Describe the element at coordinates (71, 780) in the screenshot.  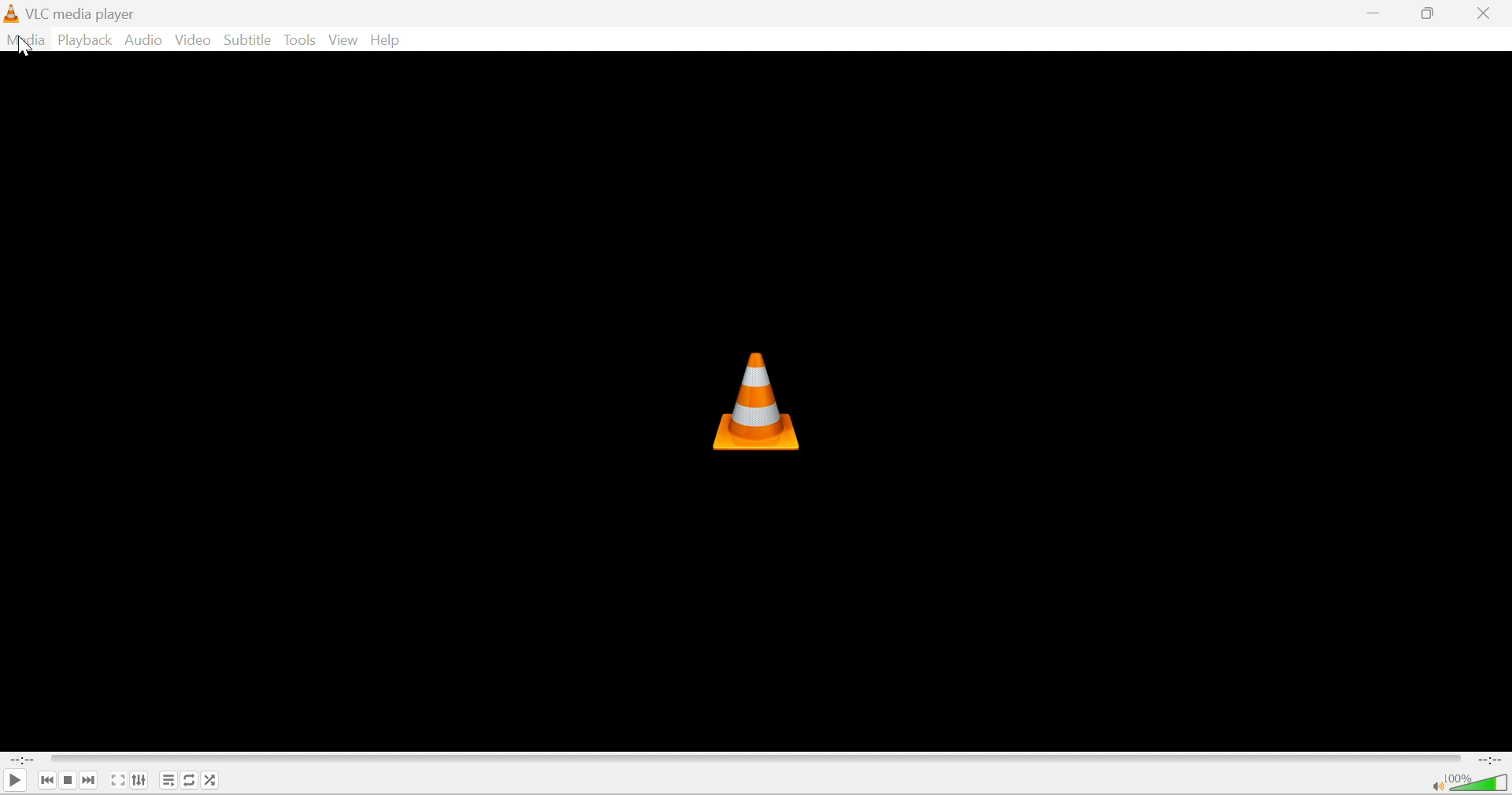
I see `Stop playback` at that location.